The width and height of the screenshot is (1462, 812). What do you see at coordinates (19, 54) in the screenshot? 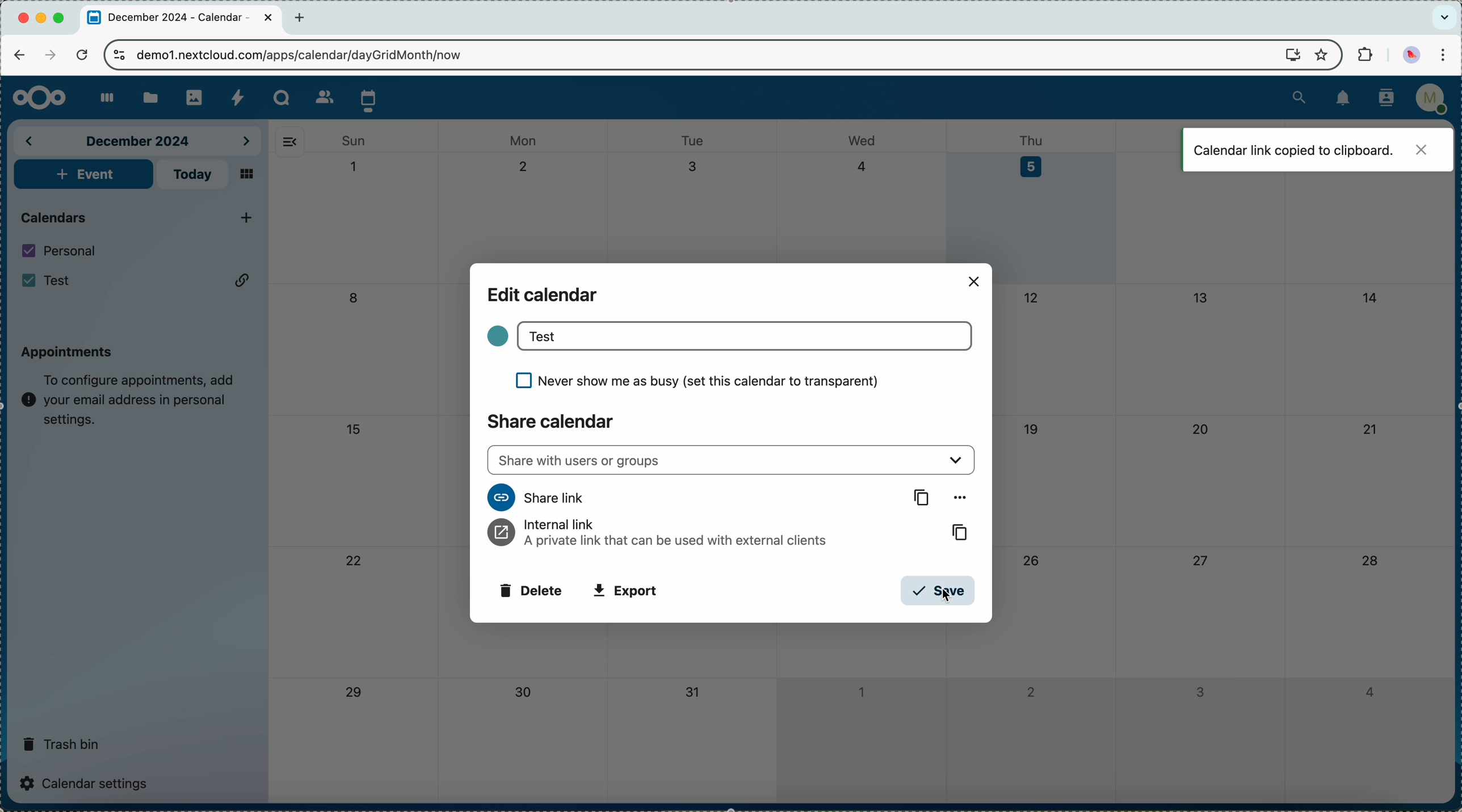
I see `navigate back` at bounding box center [19, 54].